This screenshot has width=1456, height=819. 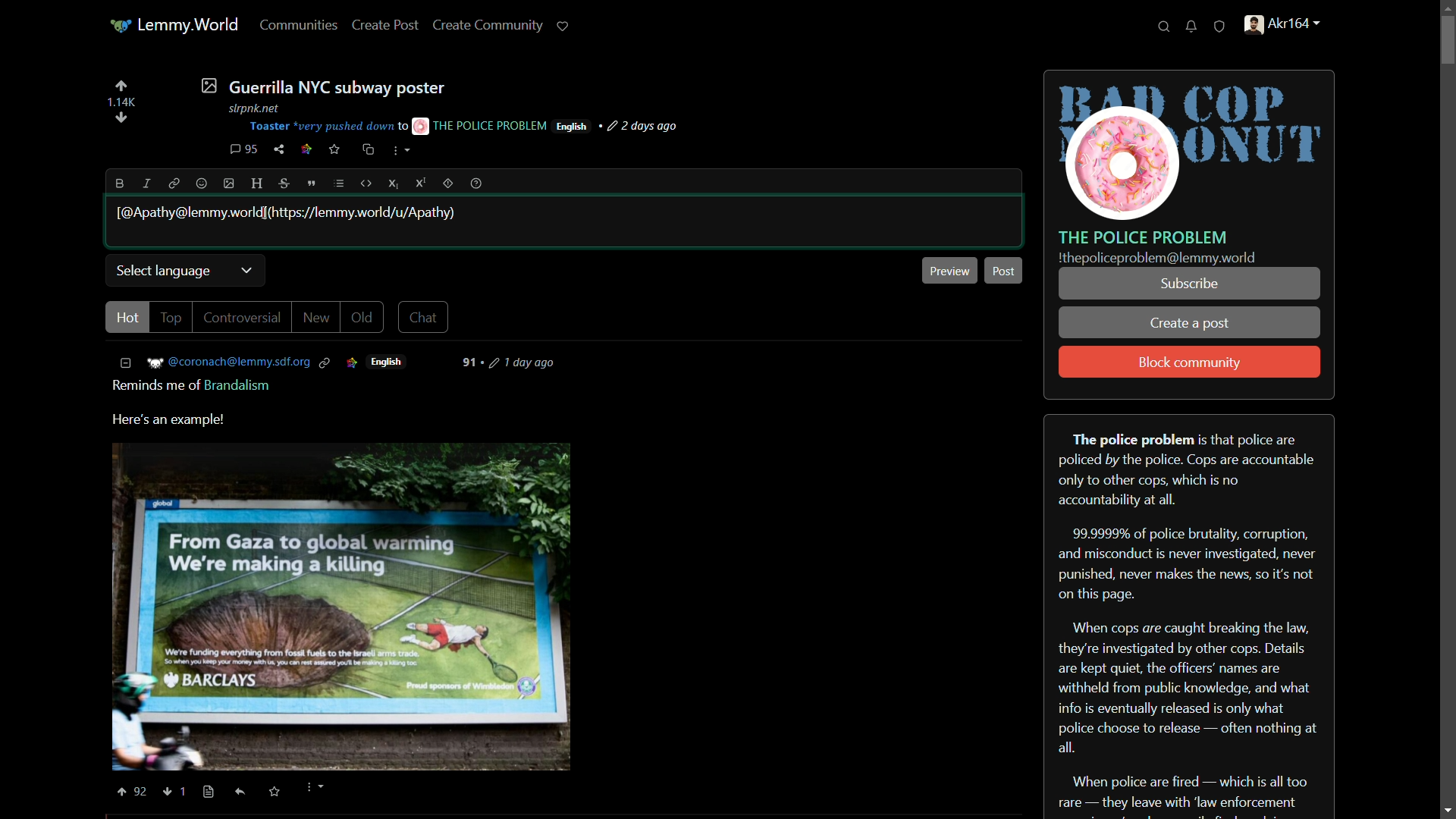 What do you see at coordinates (306, 151) in the screenshot?
I see `link` at bounding box center [306, 151].